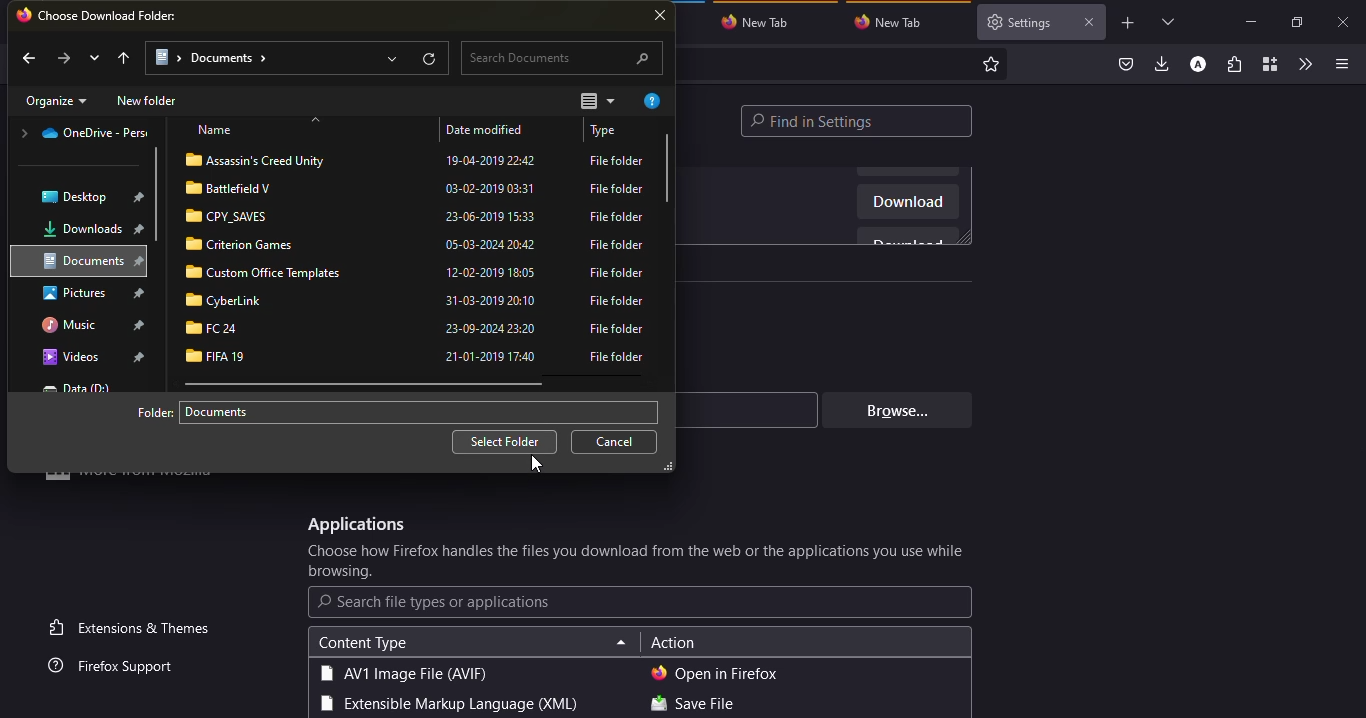  What do you see at coordinates (77, 294) in the screenshot?
I see `location` at bounding box center [77, 294].